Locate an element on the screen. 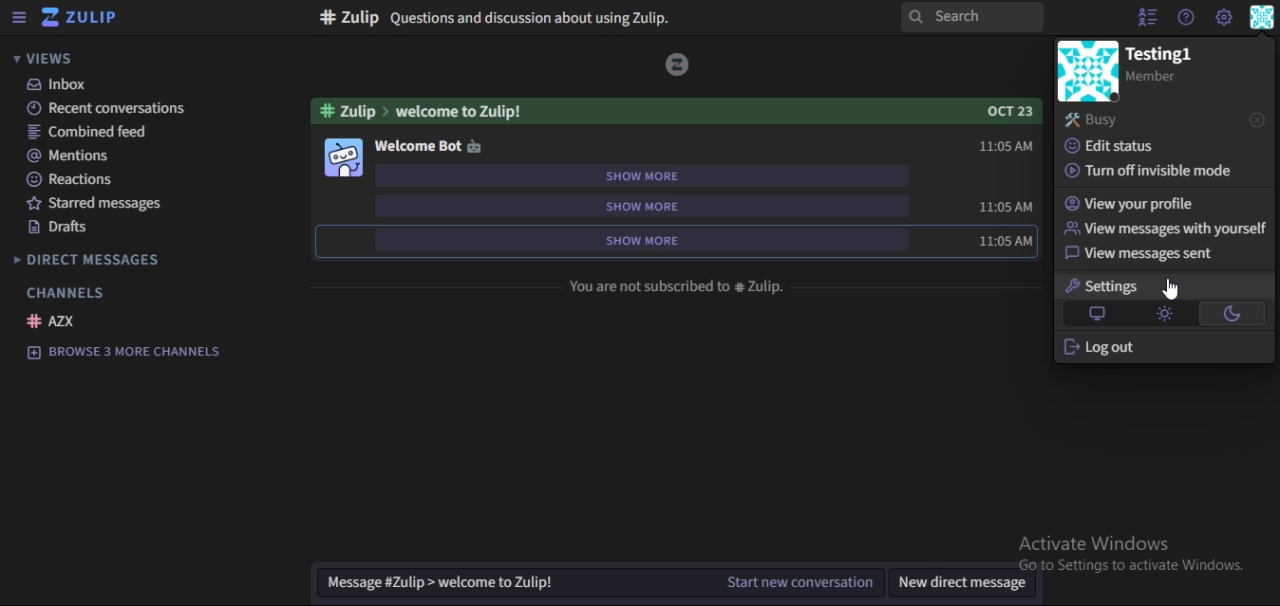 This screenshot has height=606, width=1280. inbox is located at coordinates (81, 85).